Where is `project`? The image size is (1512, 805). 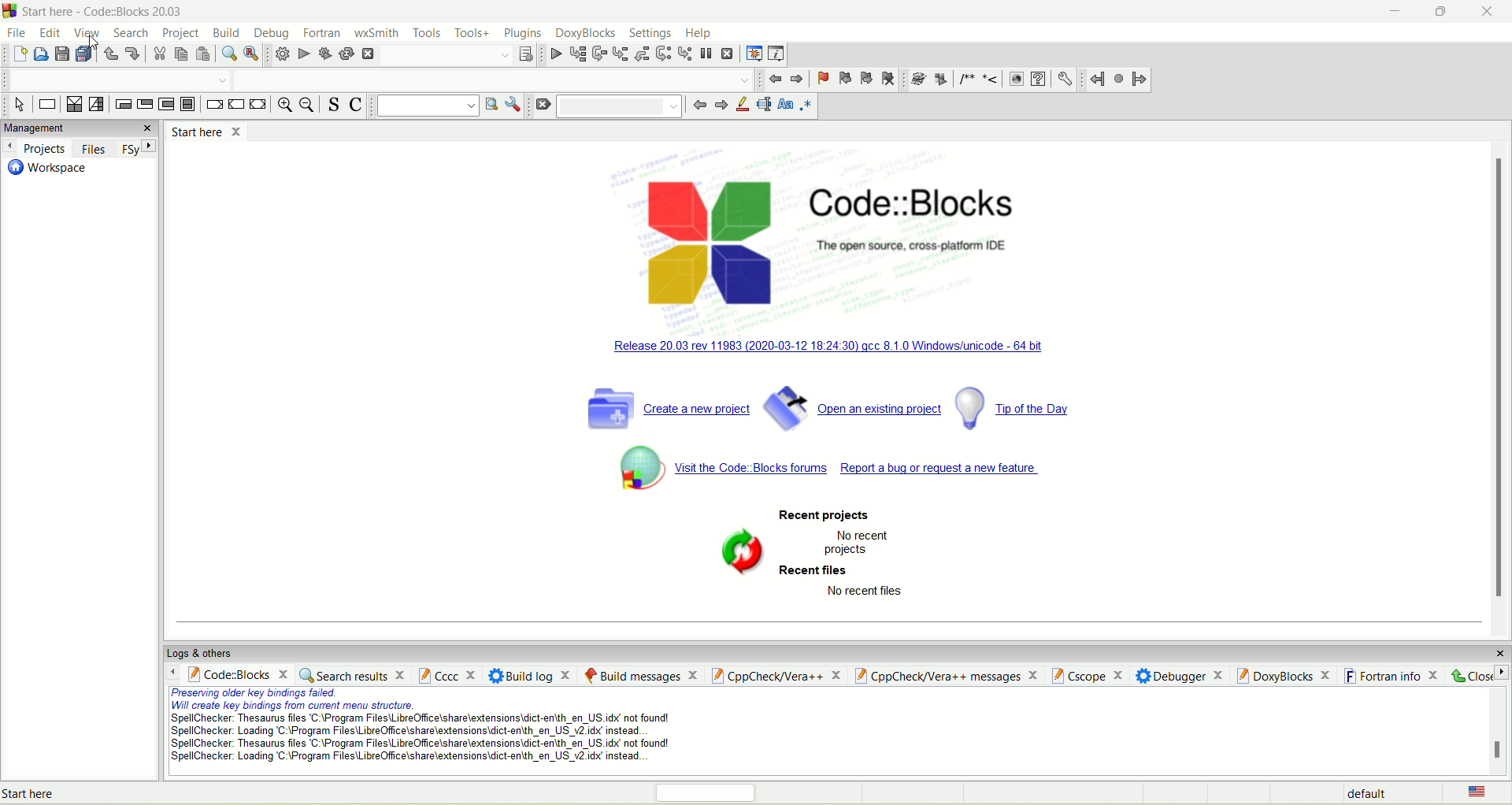 project is located at coordinates (180, 32).